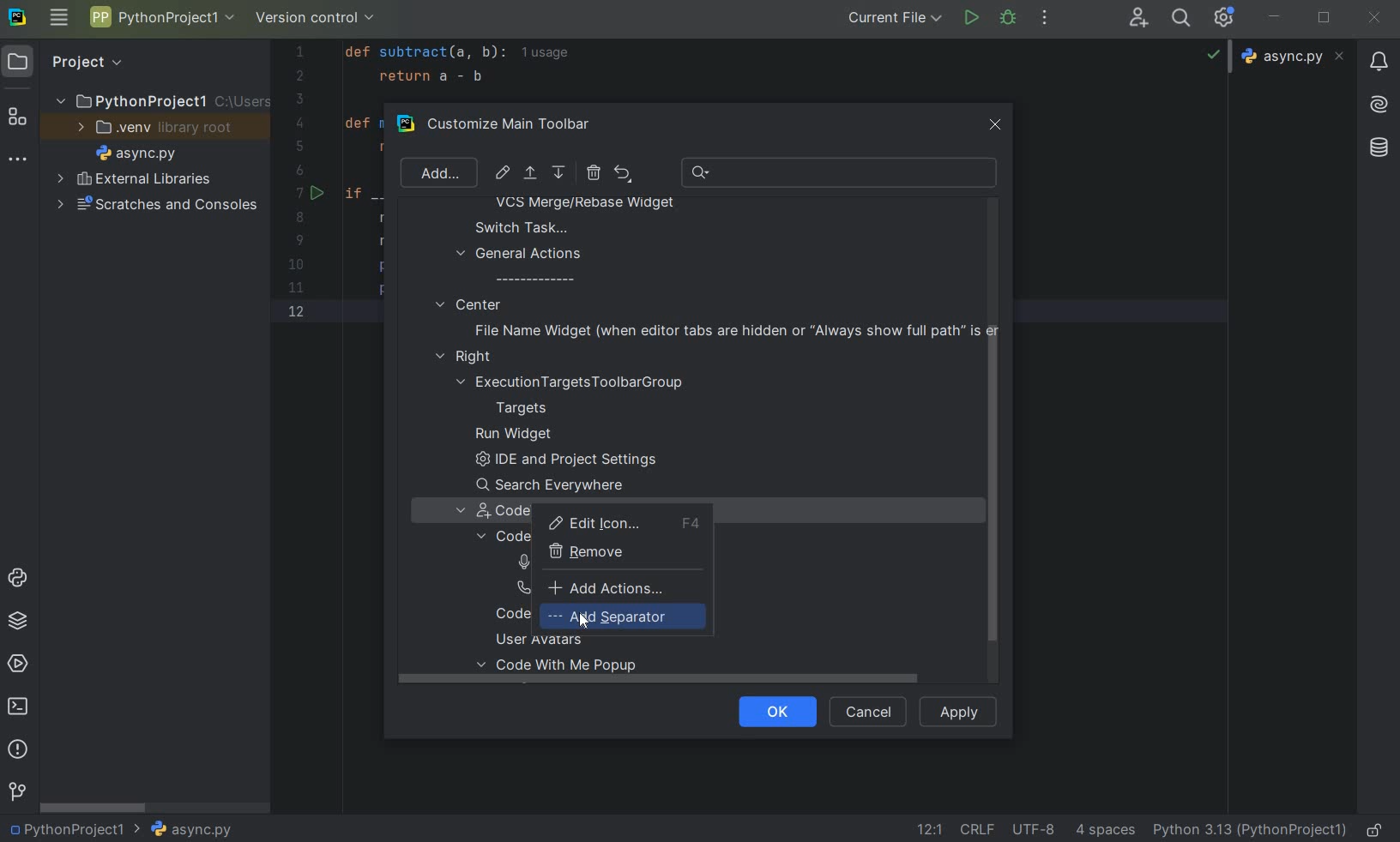  I want to click on MORE TOOL WINDOWS, so click(18, 160).